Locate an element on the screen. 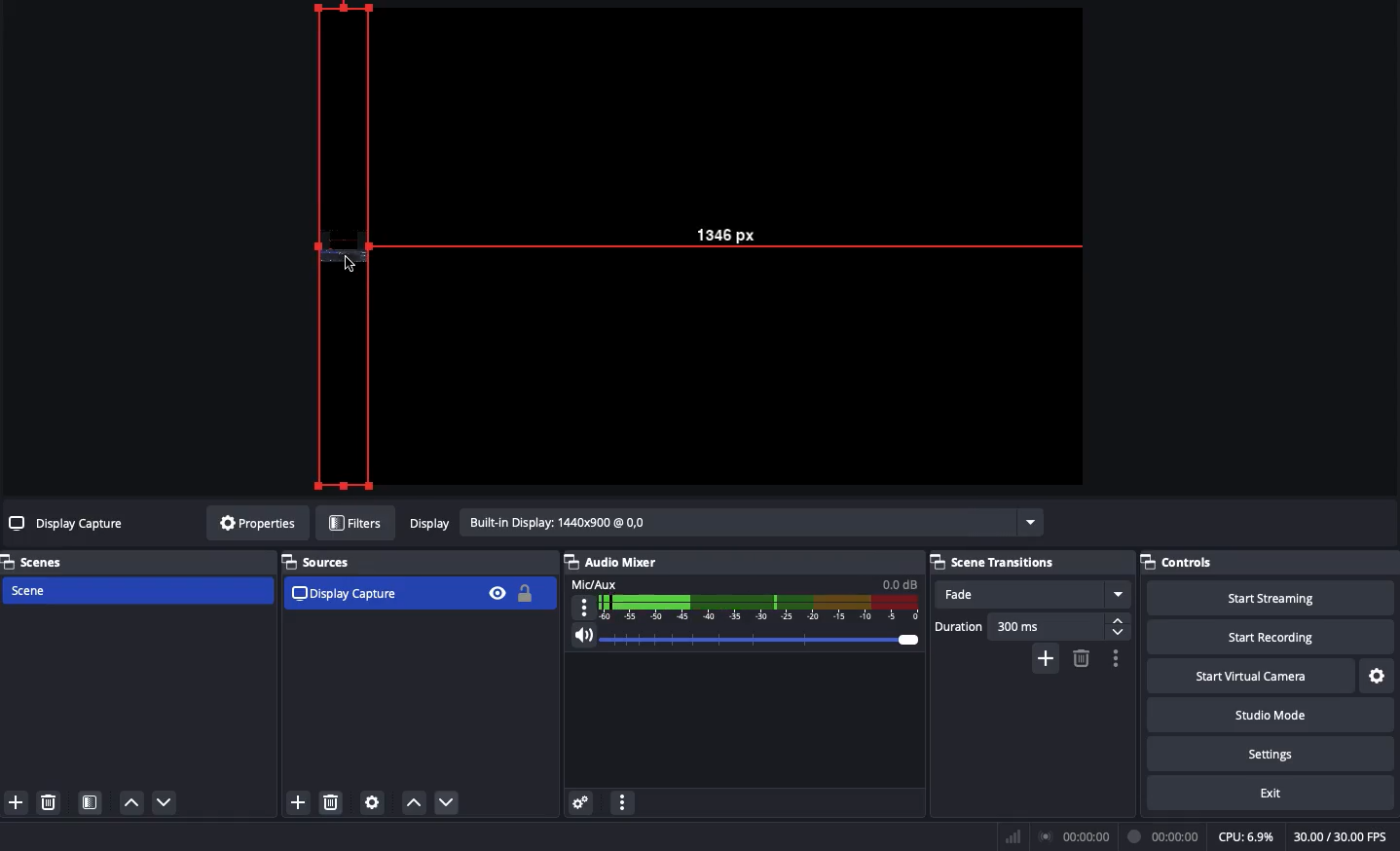 This screenshot has height=851, width=1400. Scene is located at coordinates (135, 592).